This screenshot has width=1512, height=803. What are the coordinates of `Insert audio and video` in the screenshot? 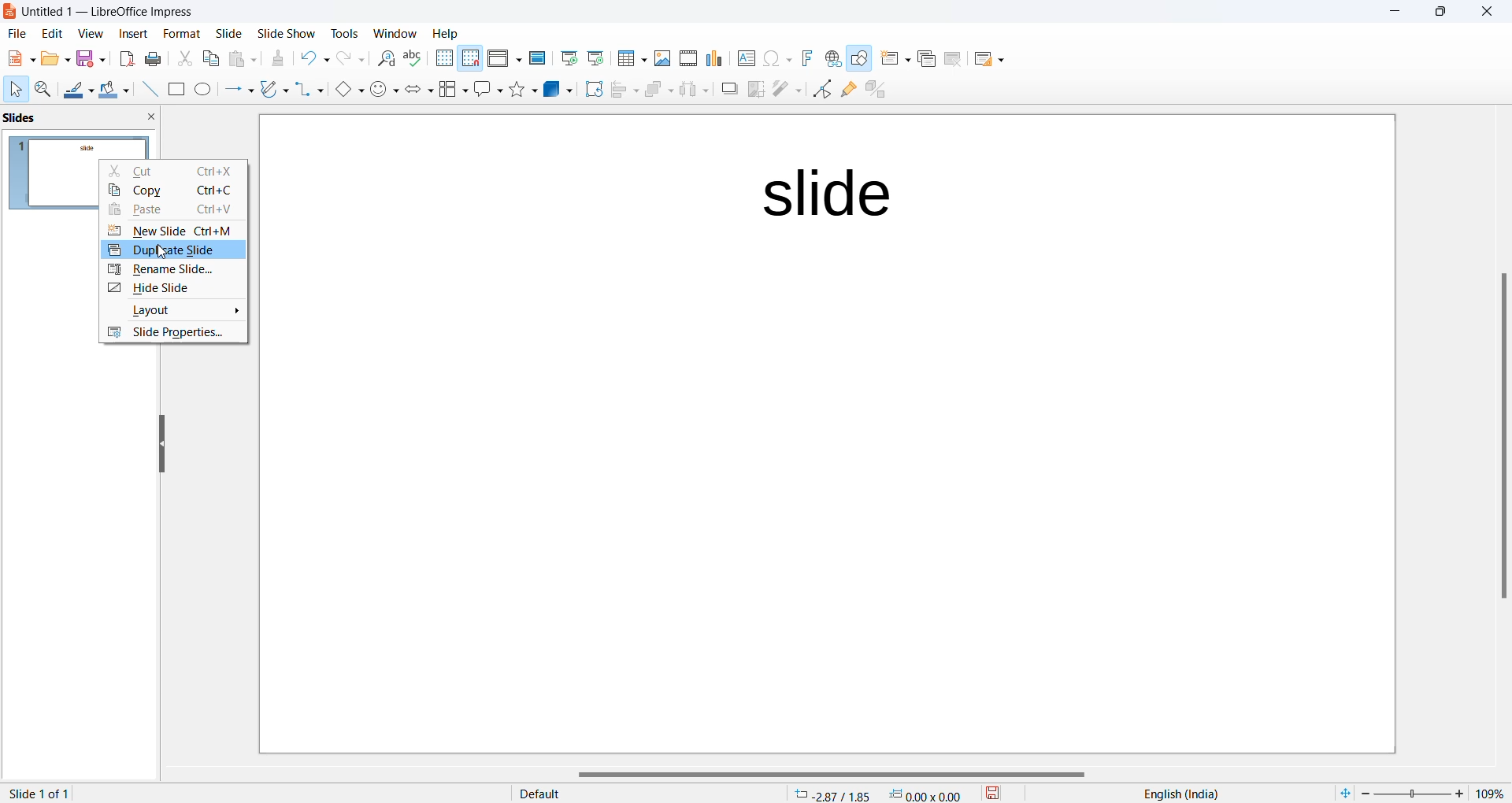 It's located at (686, 57).